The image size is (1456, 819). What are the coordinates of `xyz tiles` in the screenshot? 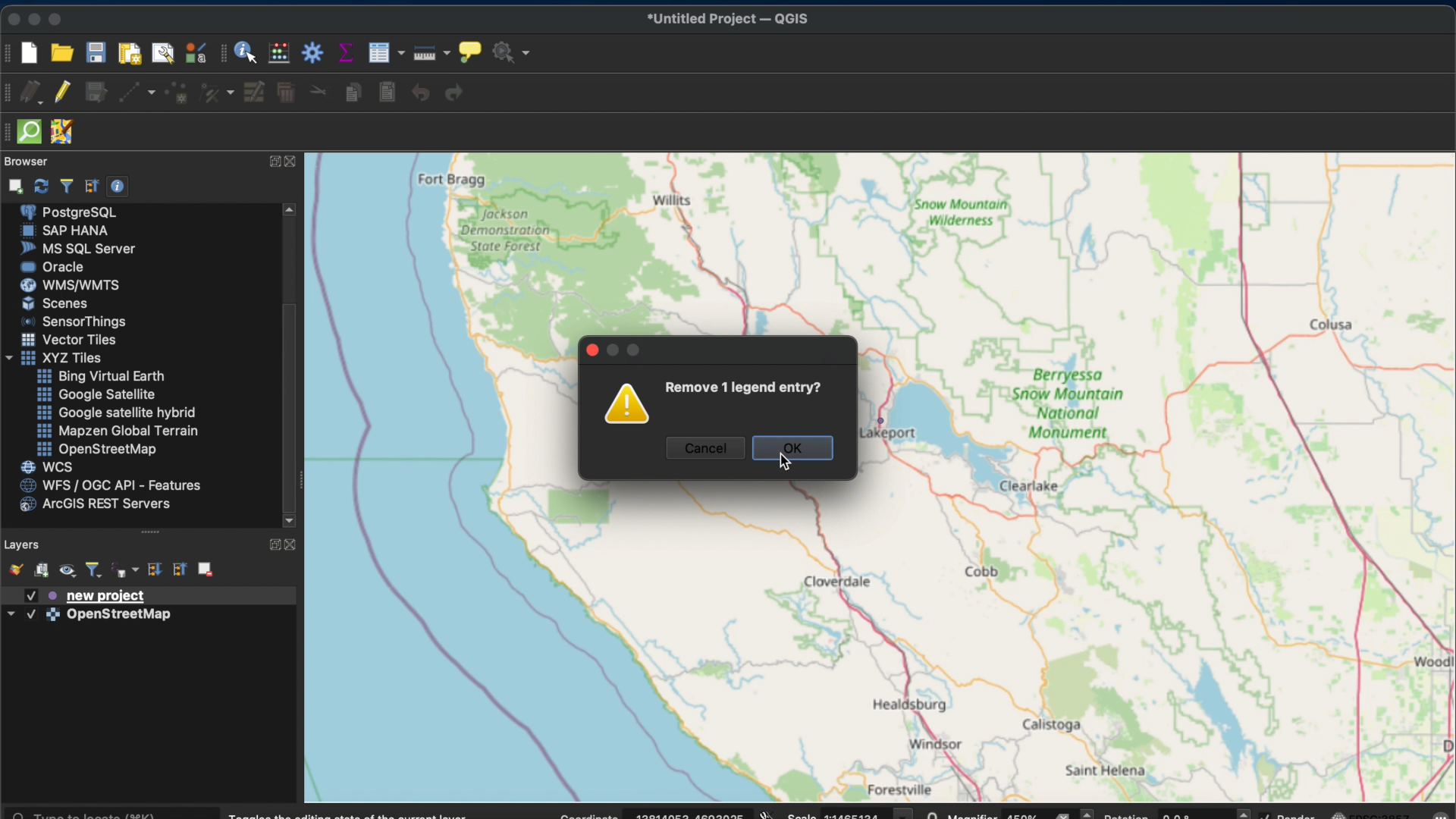 It's located at (52, 359).